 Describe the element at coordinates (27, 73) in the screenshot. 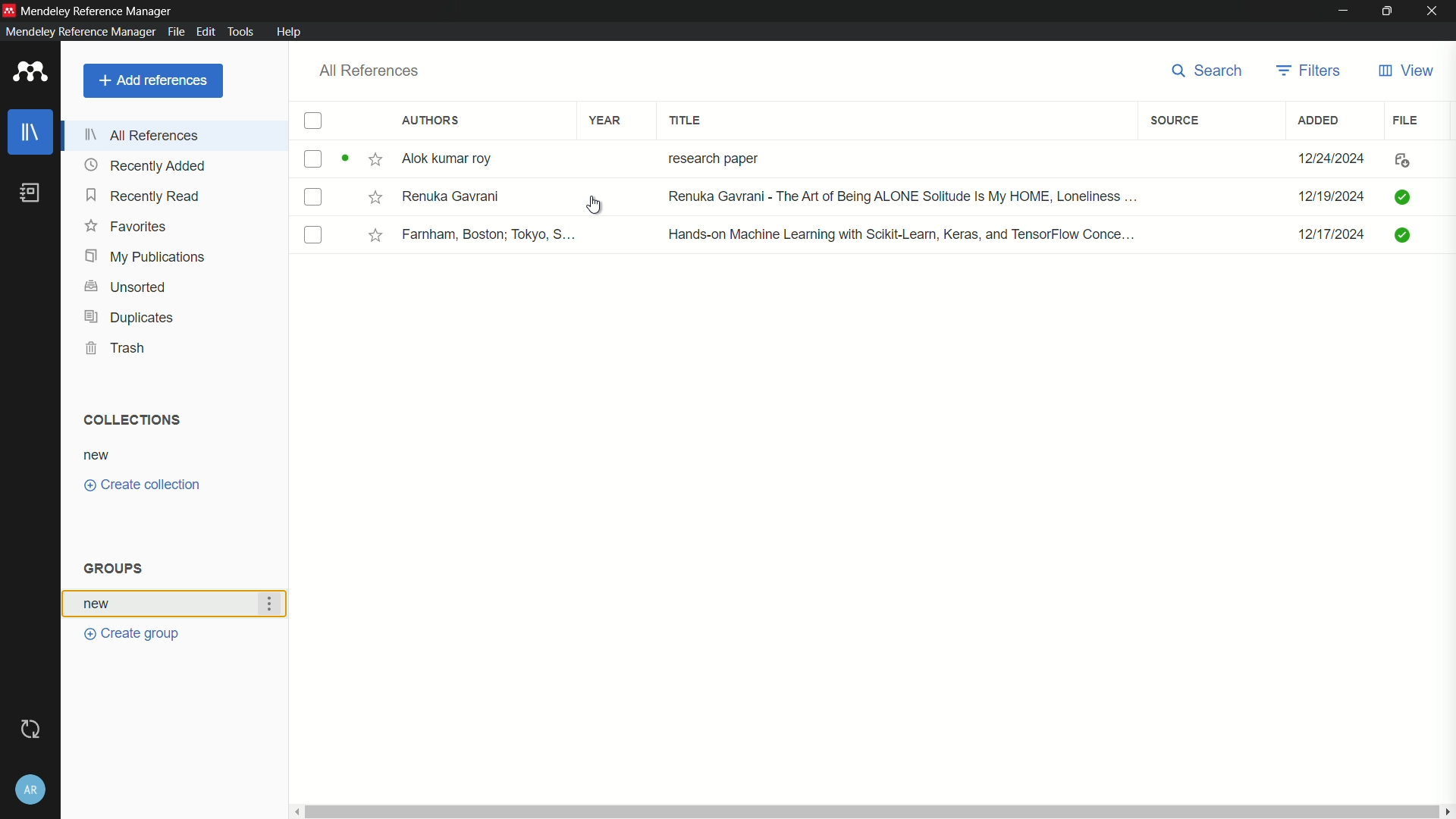

I see `app icon` at that location.